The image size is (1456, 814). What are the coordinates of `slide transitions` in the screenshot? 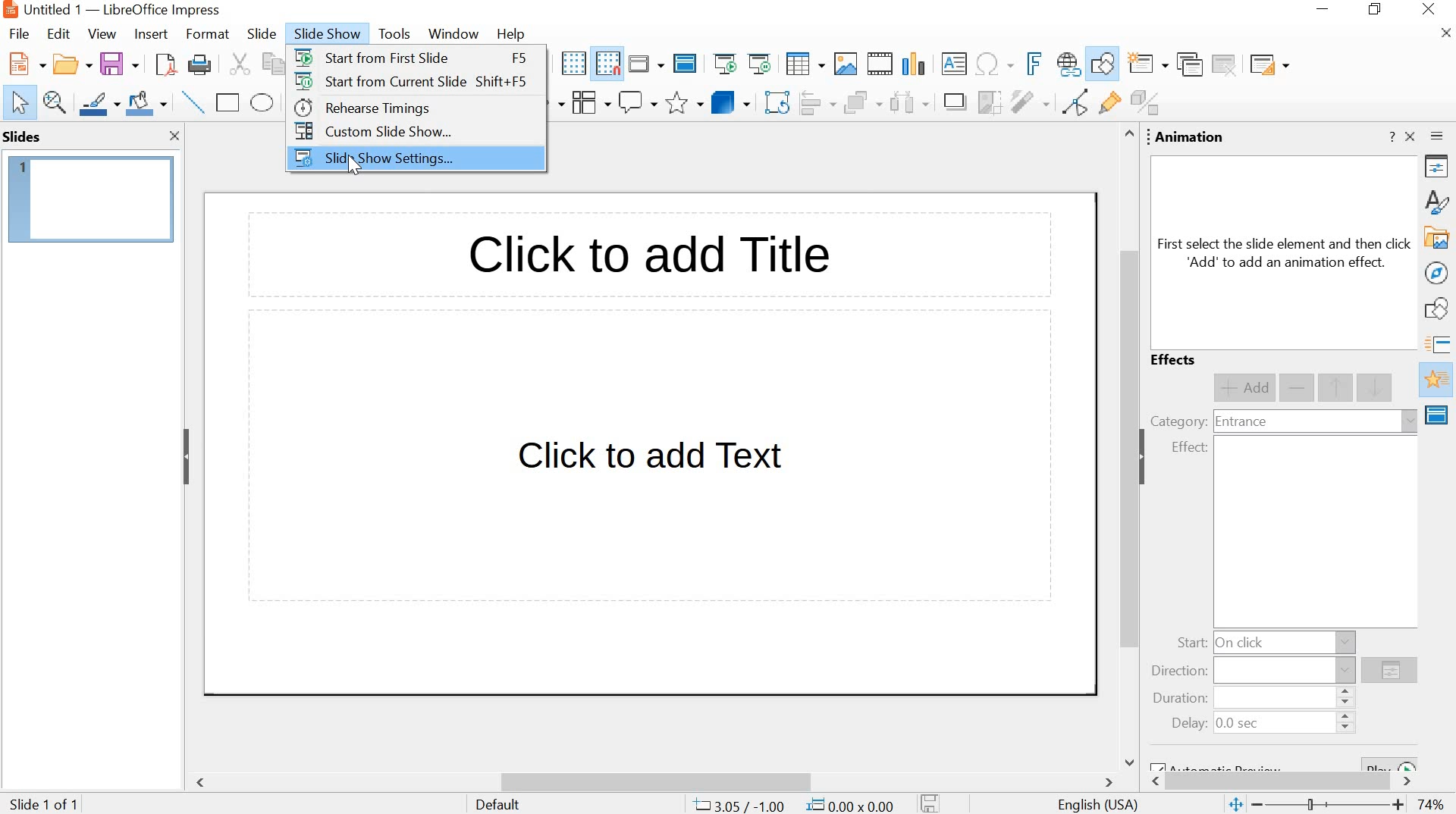 It's located at (1439, 345).